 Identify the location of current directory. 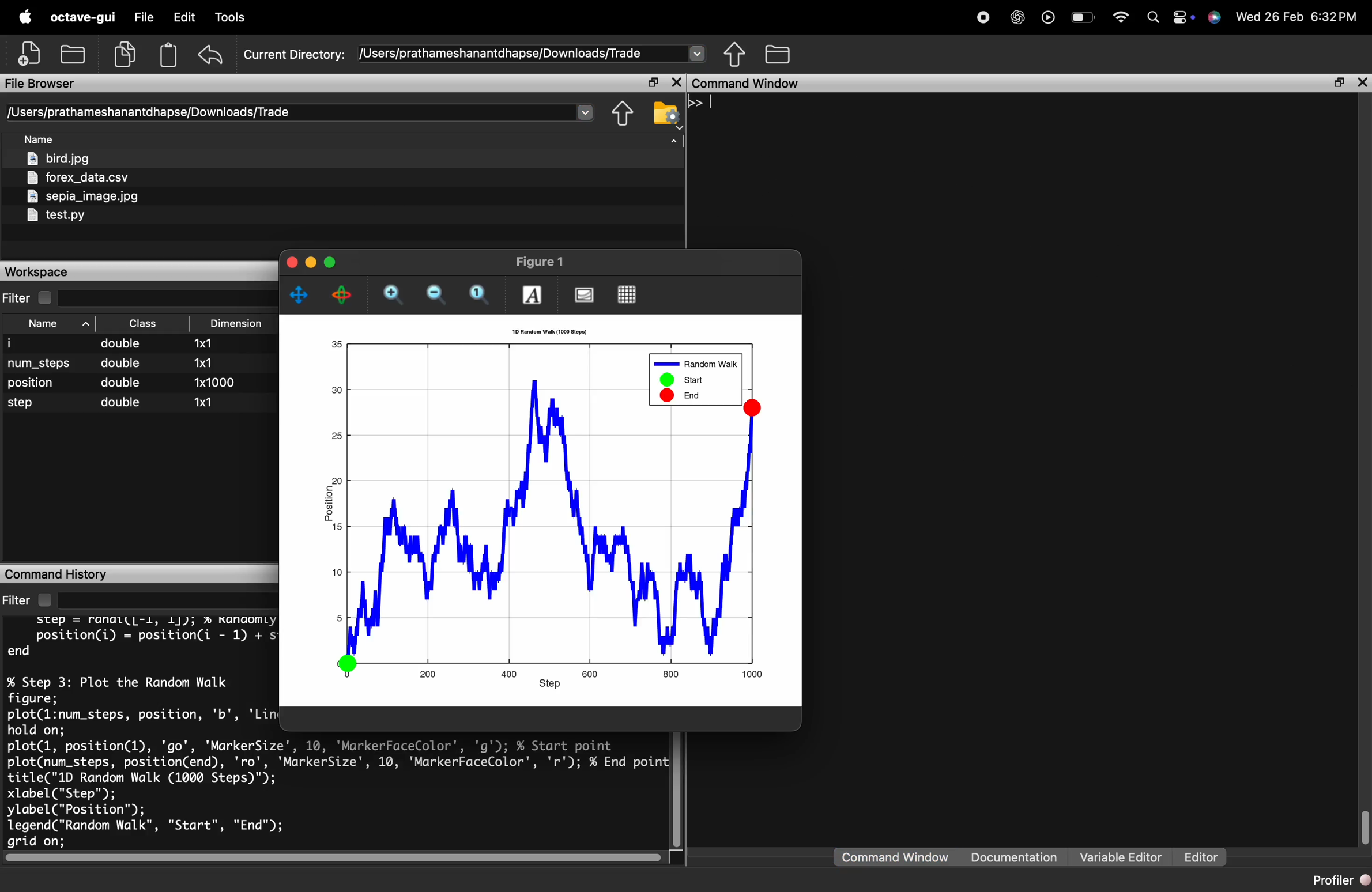
(475, 54).